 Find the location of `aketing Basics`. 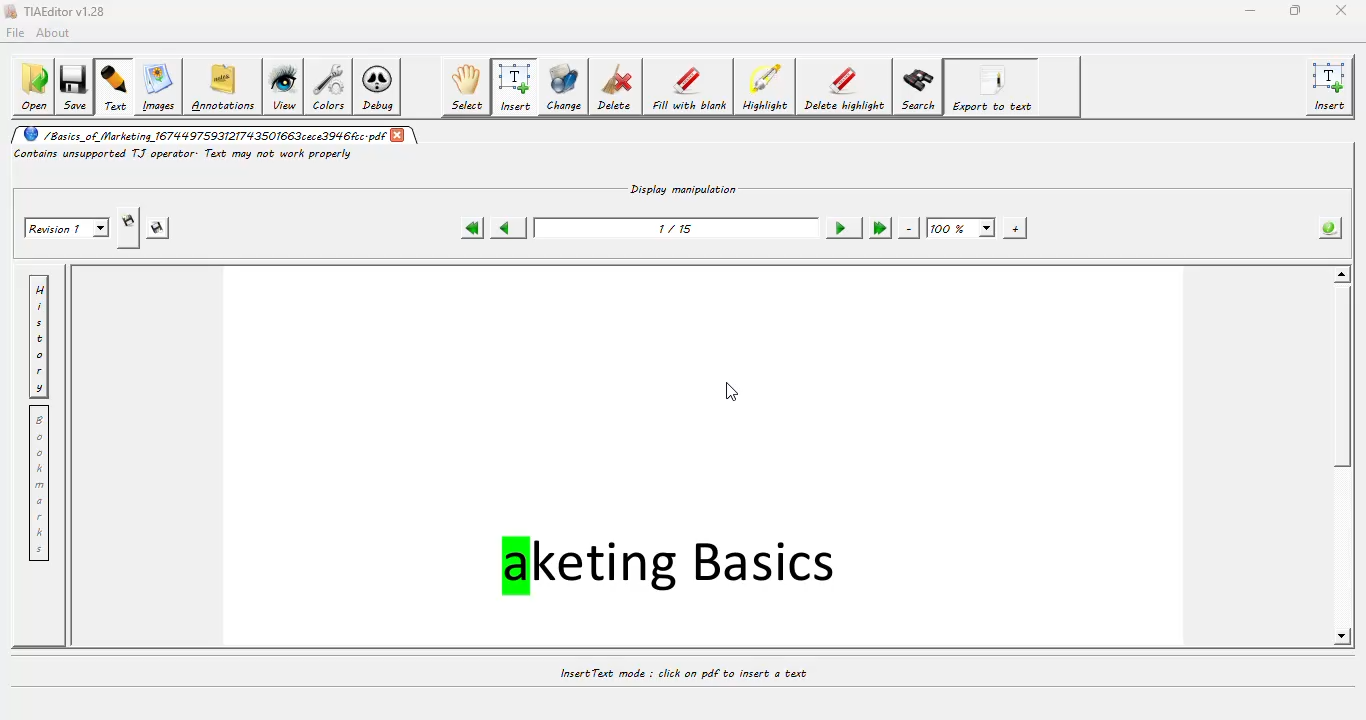

aketing Basics is located at coordinates (673, 564).